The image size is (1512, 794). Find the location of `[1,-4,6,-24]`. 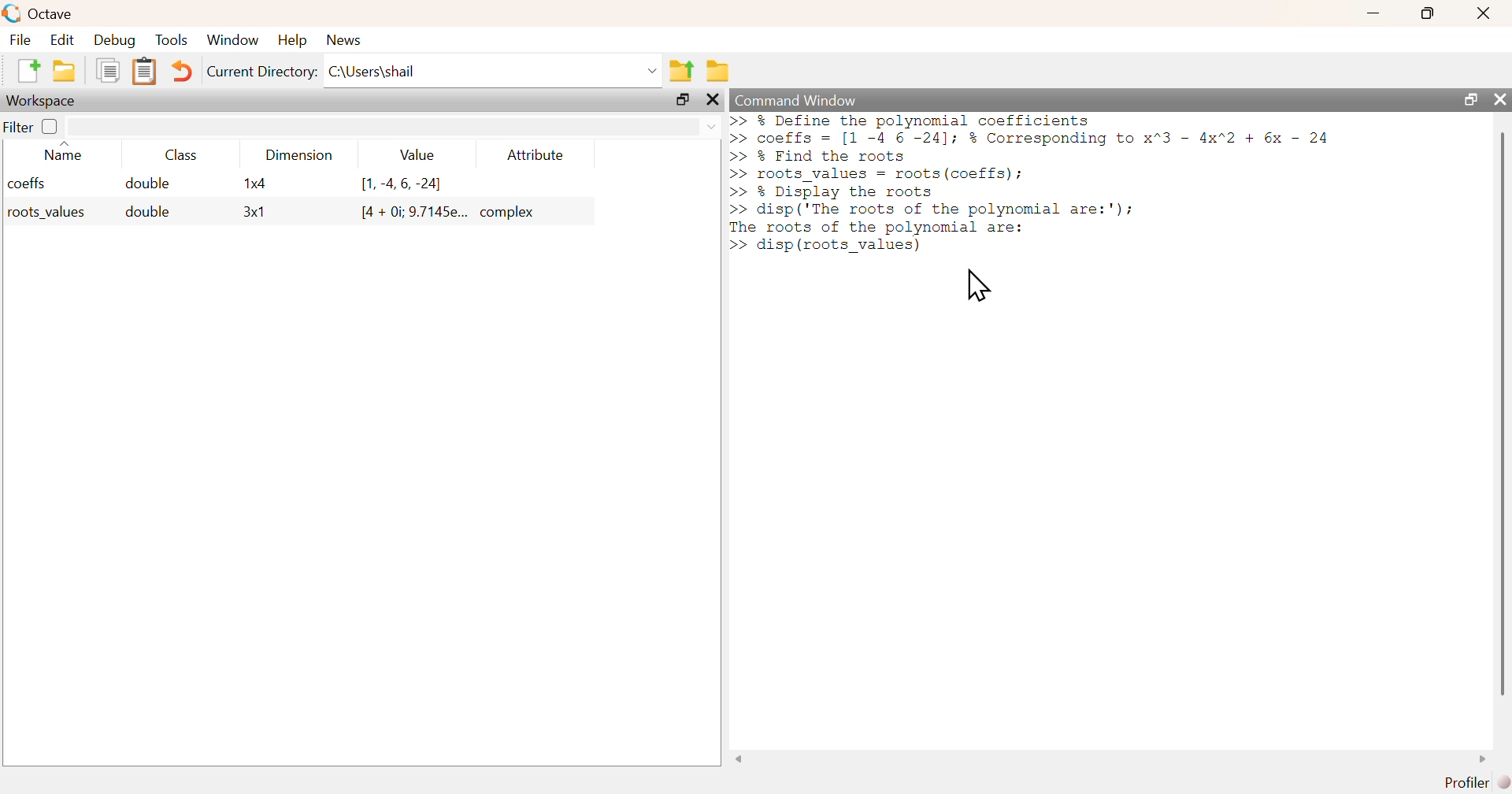

[1,-4,6,-24] is located at coordinates (402, 184).